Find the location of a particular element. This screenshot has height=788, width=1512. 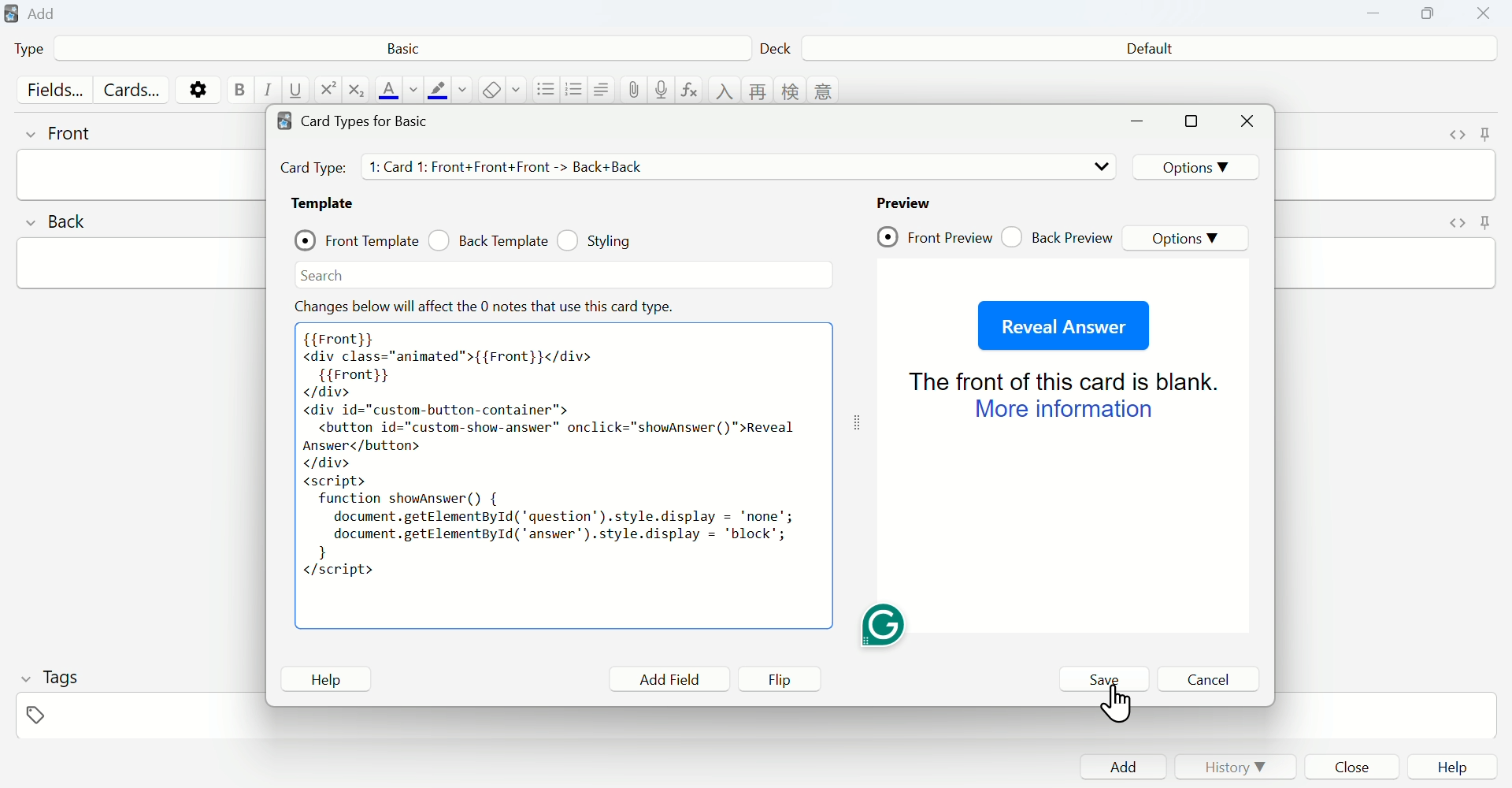

cursor is located at coordinates (1115, 704).